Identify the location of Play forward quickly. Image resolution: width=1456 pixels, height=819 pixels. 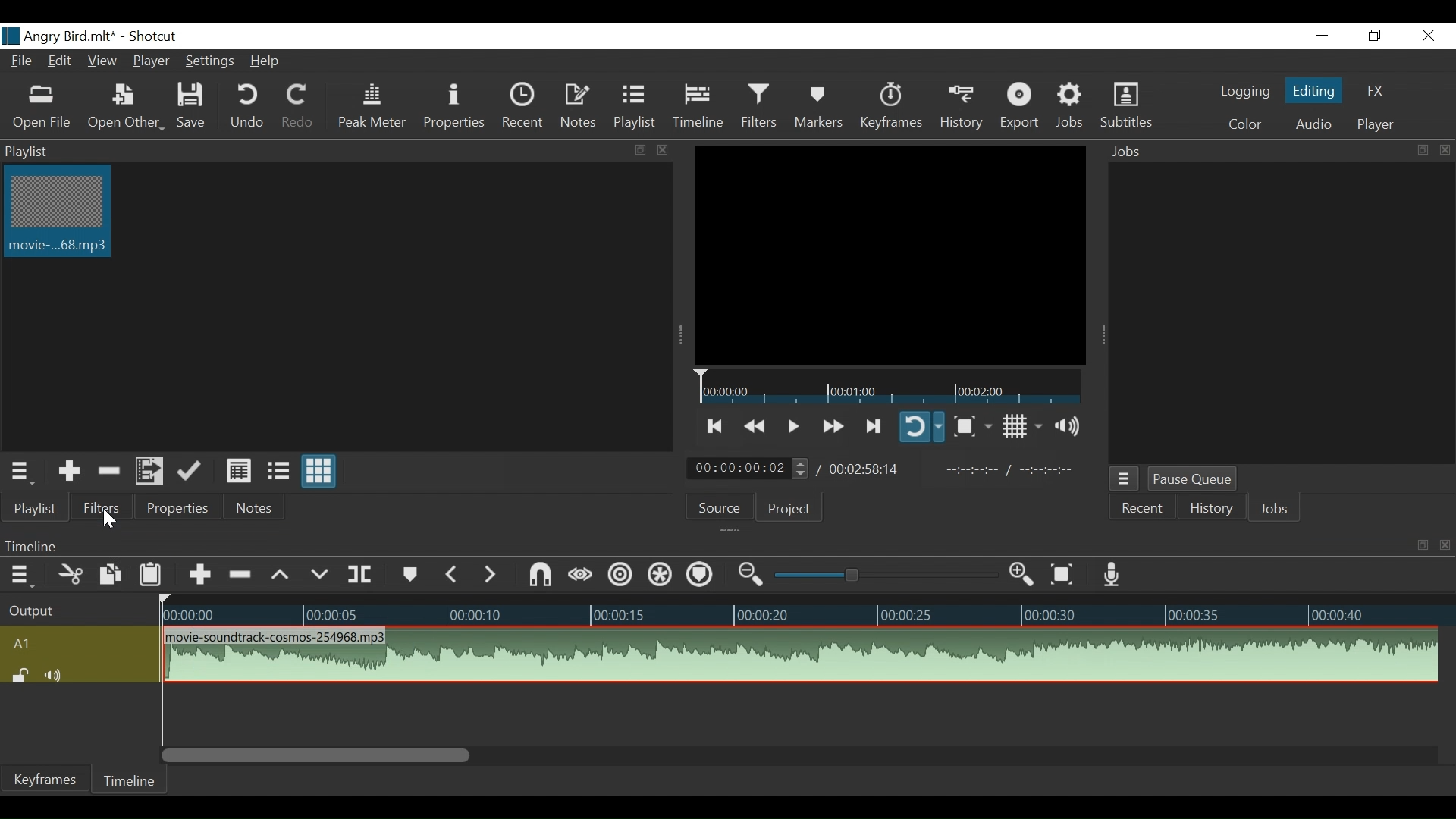
(874, 425).